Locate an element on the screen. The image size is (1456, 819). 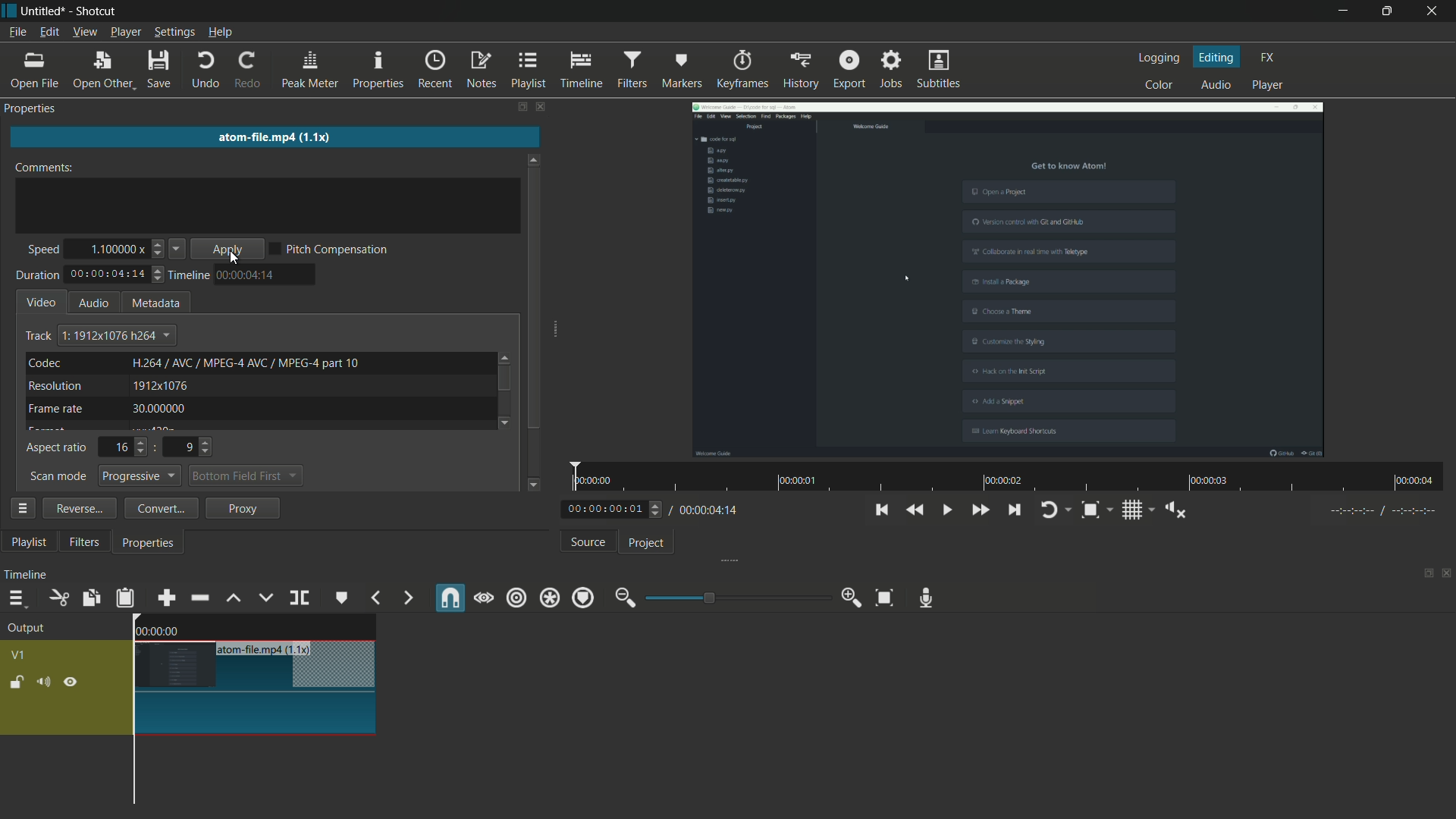
project is located at coordinates (647, 543).